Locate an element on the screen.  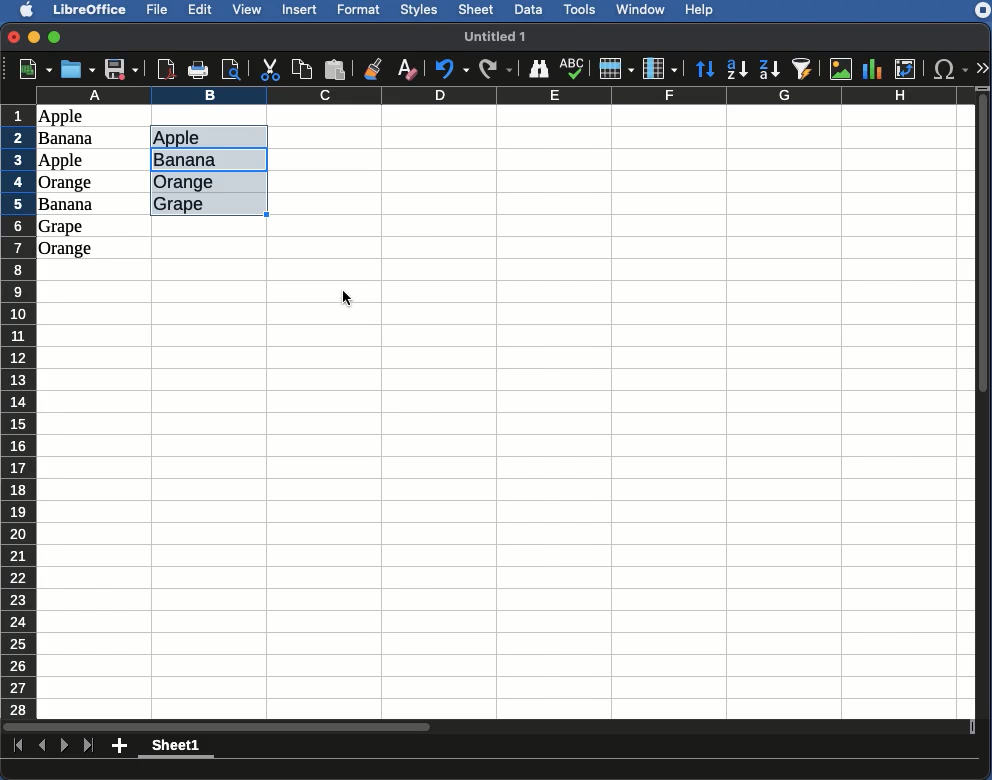
Paste is located at coordinates (342, 69).